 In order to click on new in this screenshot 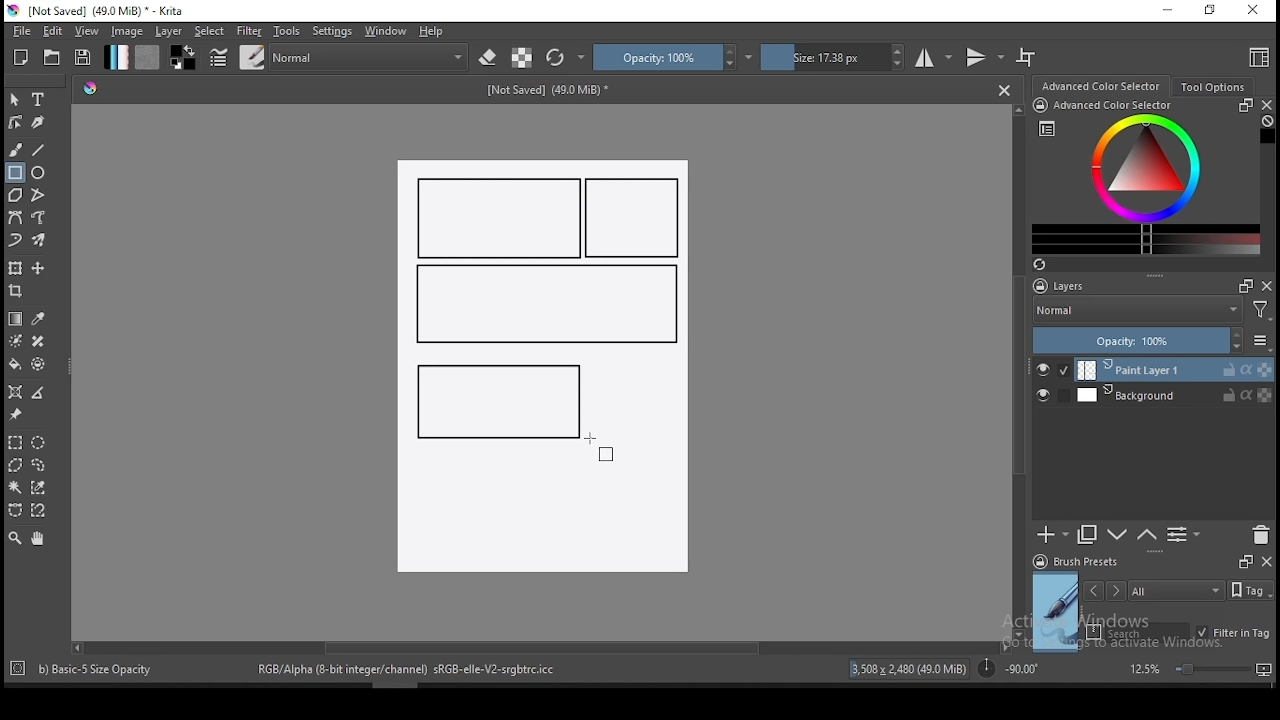, I will do `click(21, 57)`.